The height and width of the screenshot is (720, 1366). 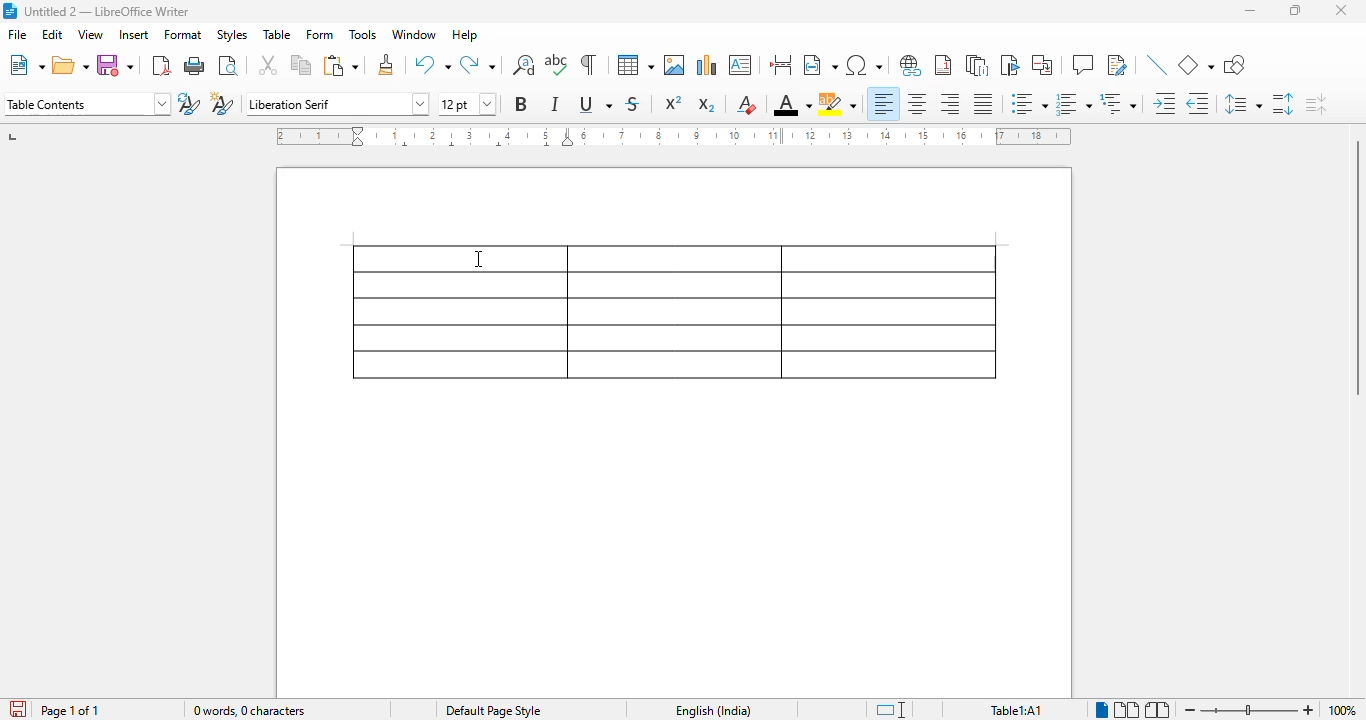 What do you see at coordinates (747, 104) in the screenshot?
I see `clear direct formatting` at bounding box center [747, 104].